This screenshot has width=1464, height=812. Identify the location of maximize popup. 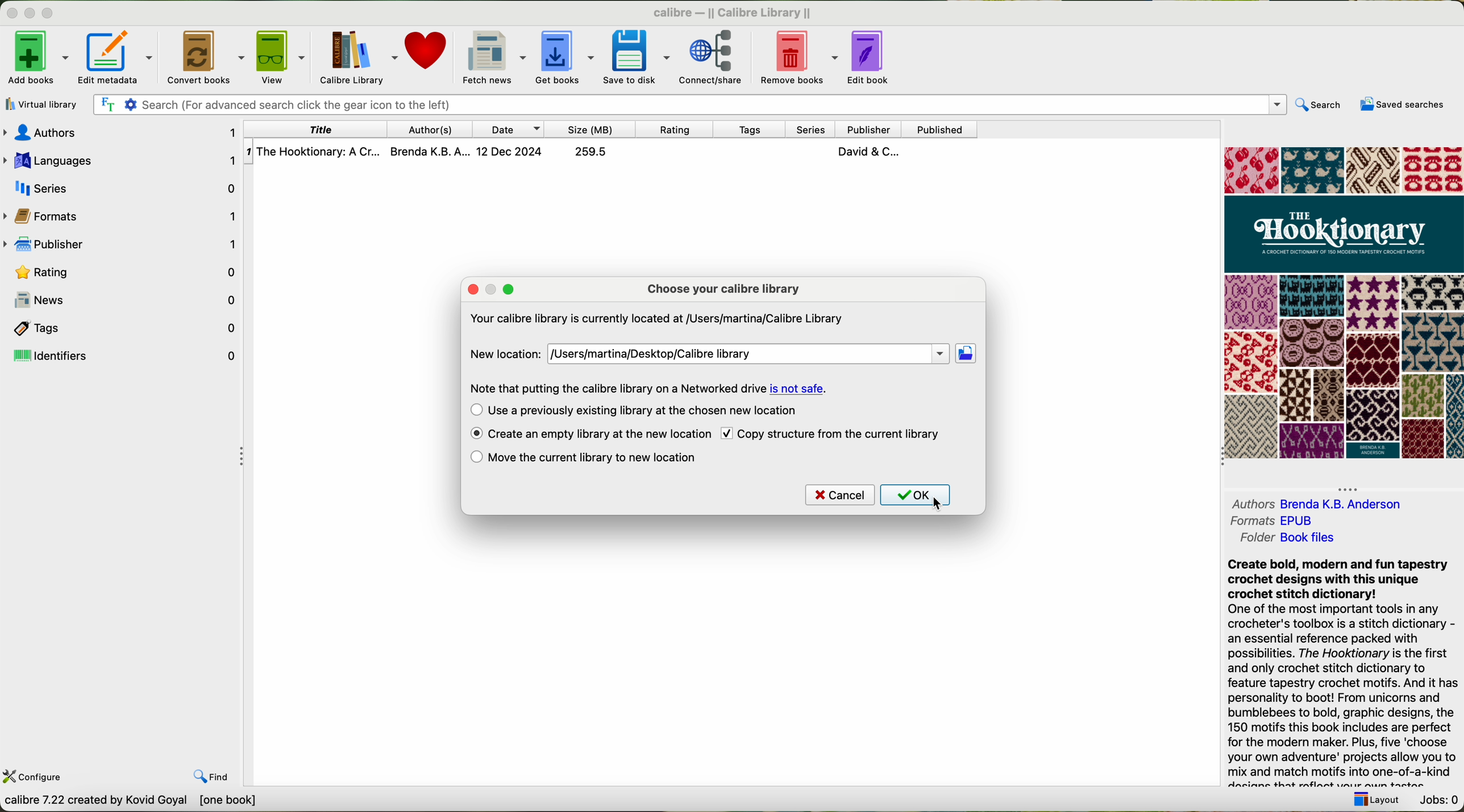
(510, 289).